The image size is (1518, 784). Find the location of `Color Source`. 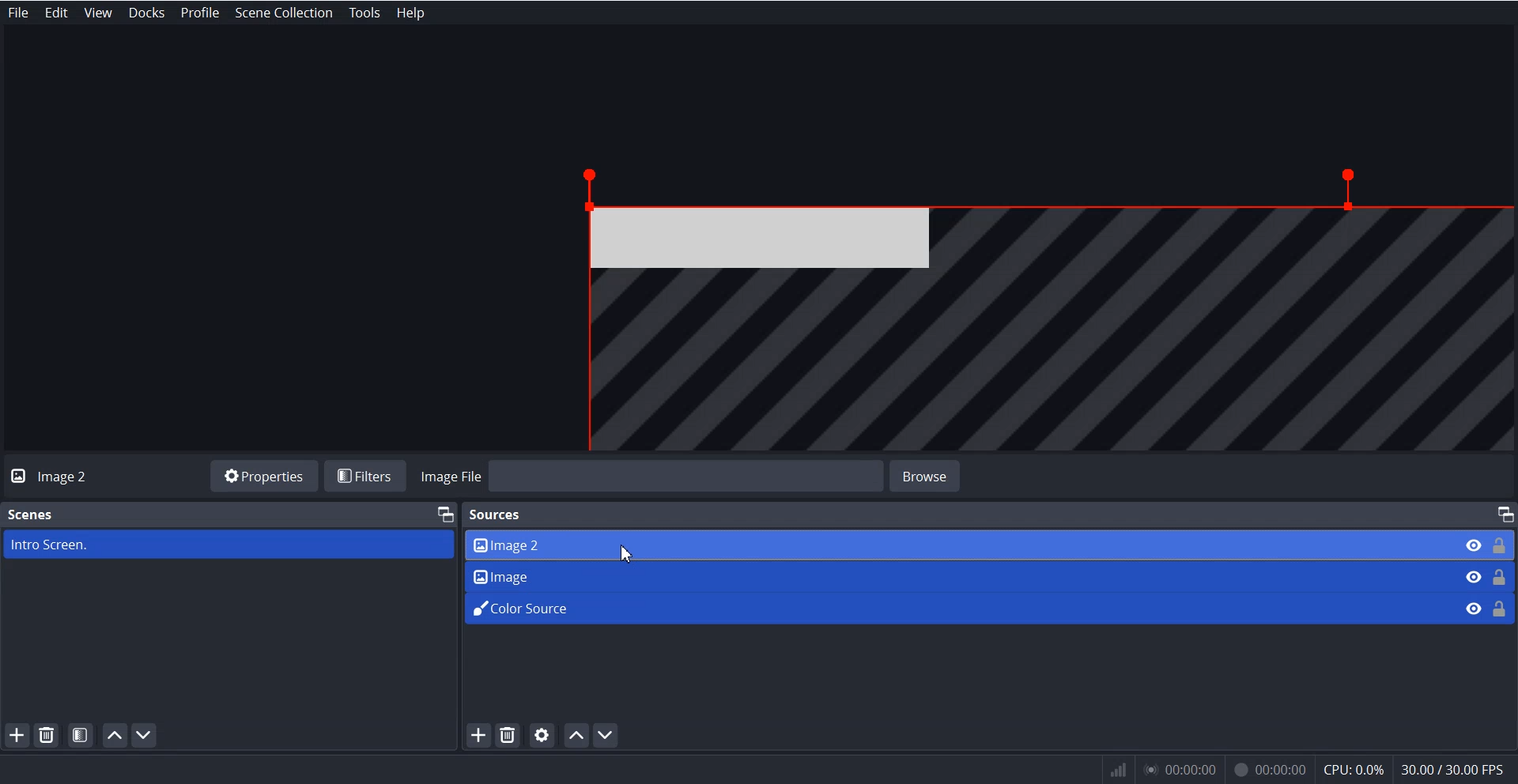

Color Source is located at coordinates (955, 606).